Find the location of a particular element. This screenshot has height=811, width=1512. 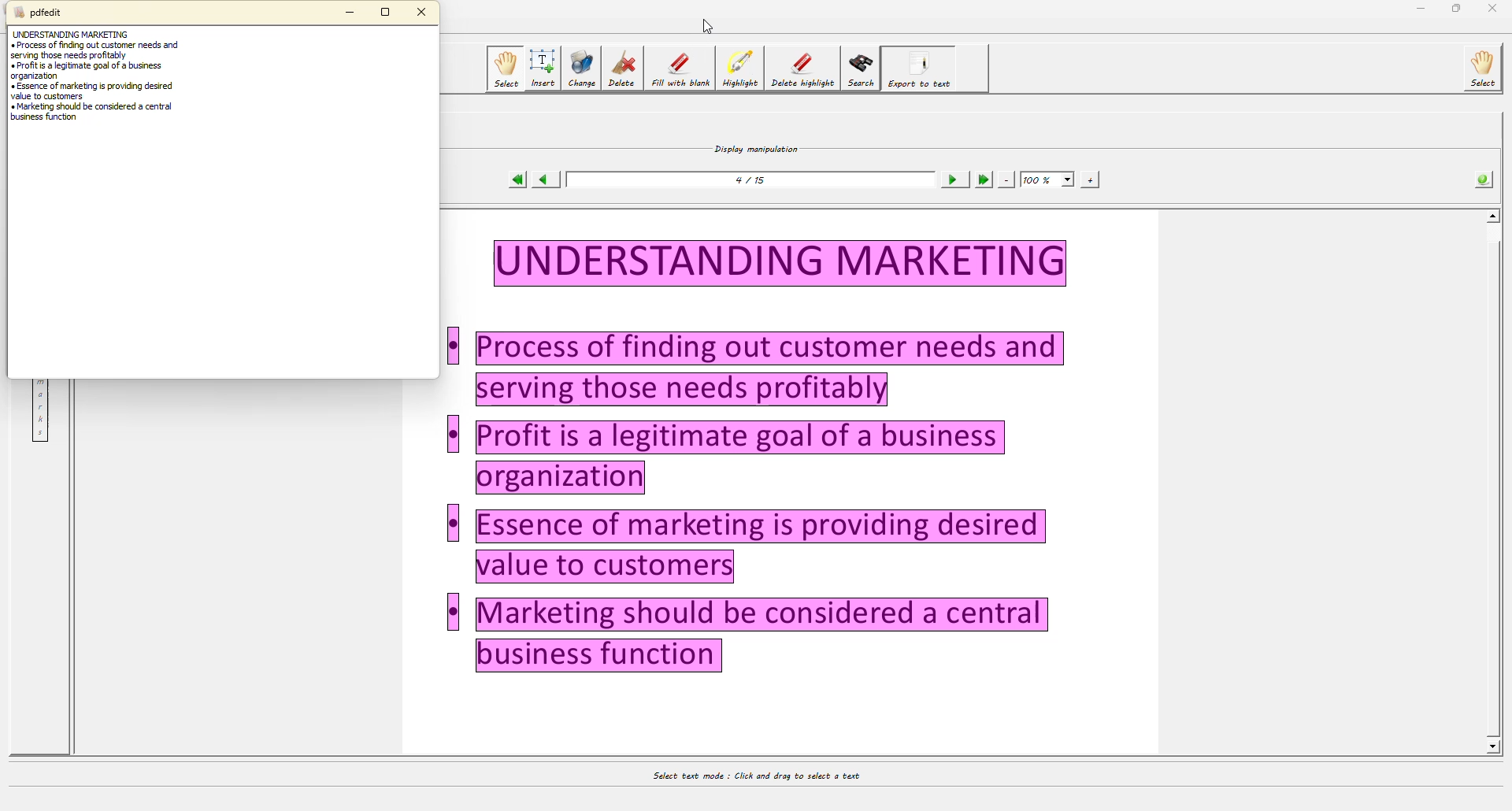

select is located at coordinates (504, 69).